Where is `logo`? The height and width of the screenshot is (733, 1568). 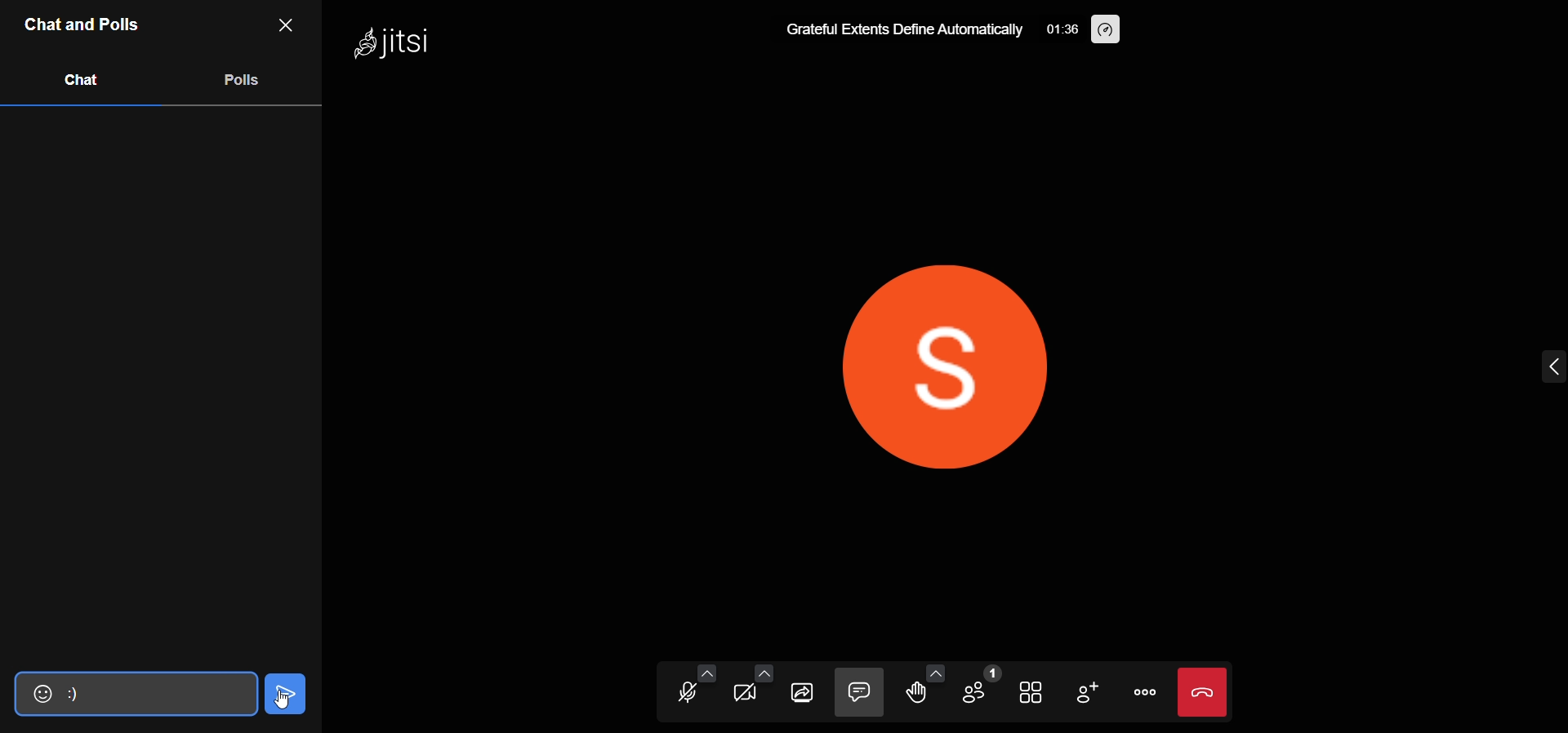
logo is located at coordinates (408, 42).